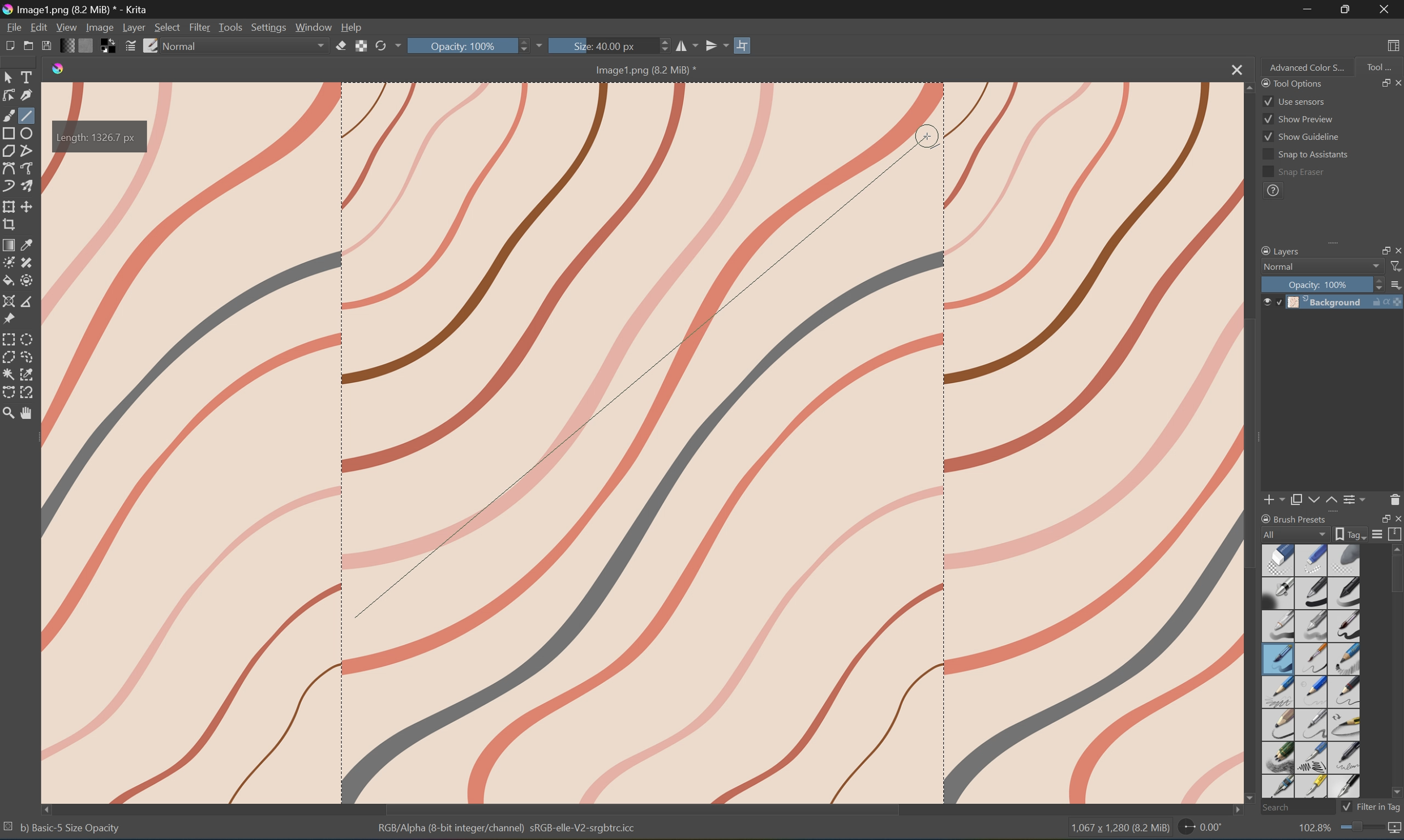  I want to click on Search, so click(1294, 807).